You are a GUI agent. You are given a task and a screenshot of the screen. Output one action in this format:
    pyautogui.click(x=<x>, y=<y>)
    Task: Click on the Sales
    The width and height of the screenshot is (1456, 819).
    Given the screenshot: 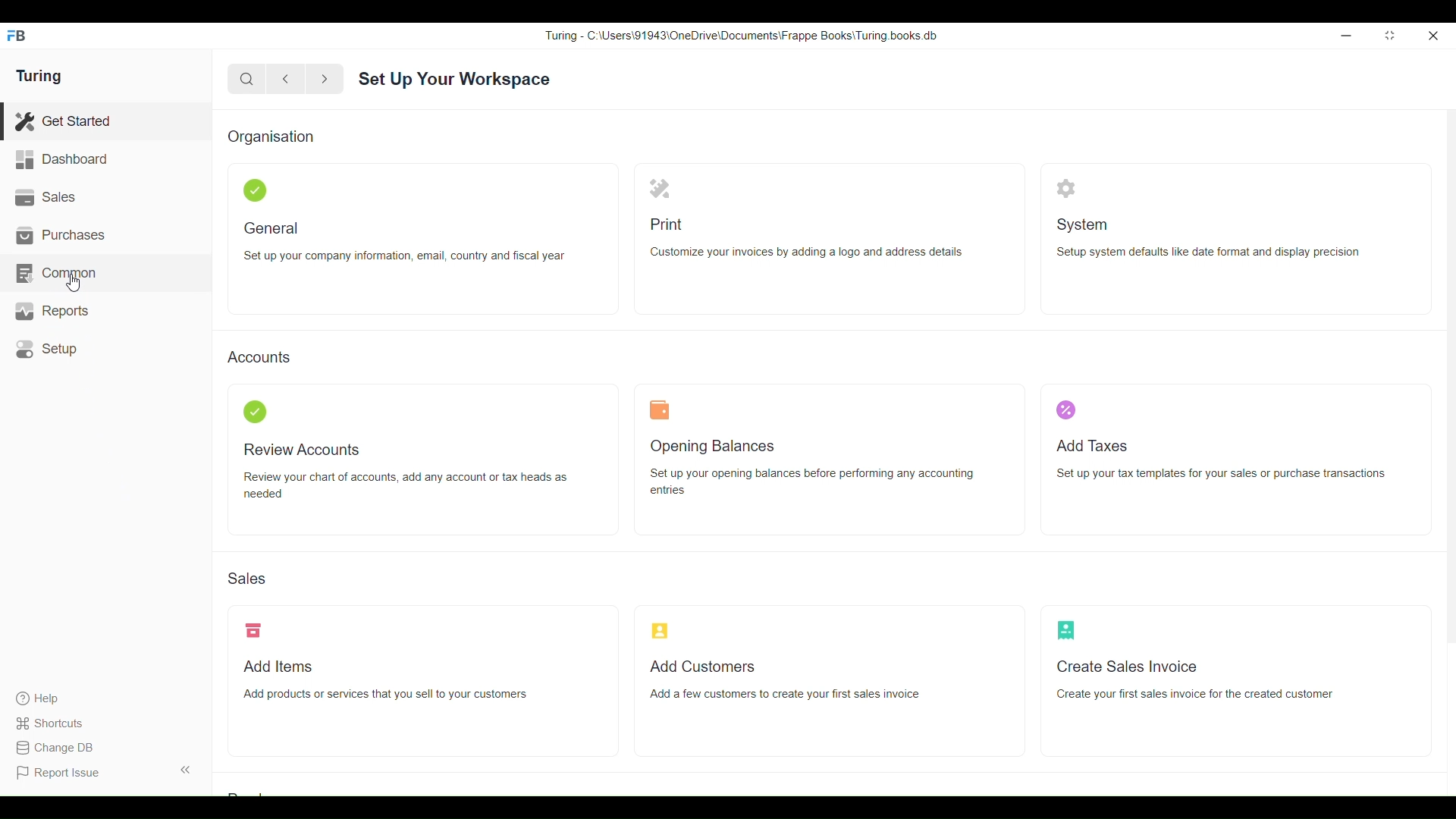 What is the action you would take?
    pyautogui.click(x=105, y=197)
    